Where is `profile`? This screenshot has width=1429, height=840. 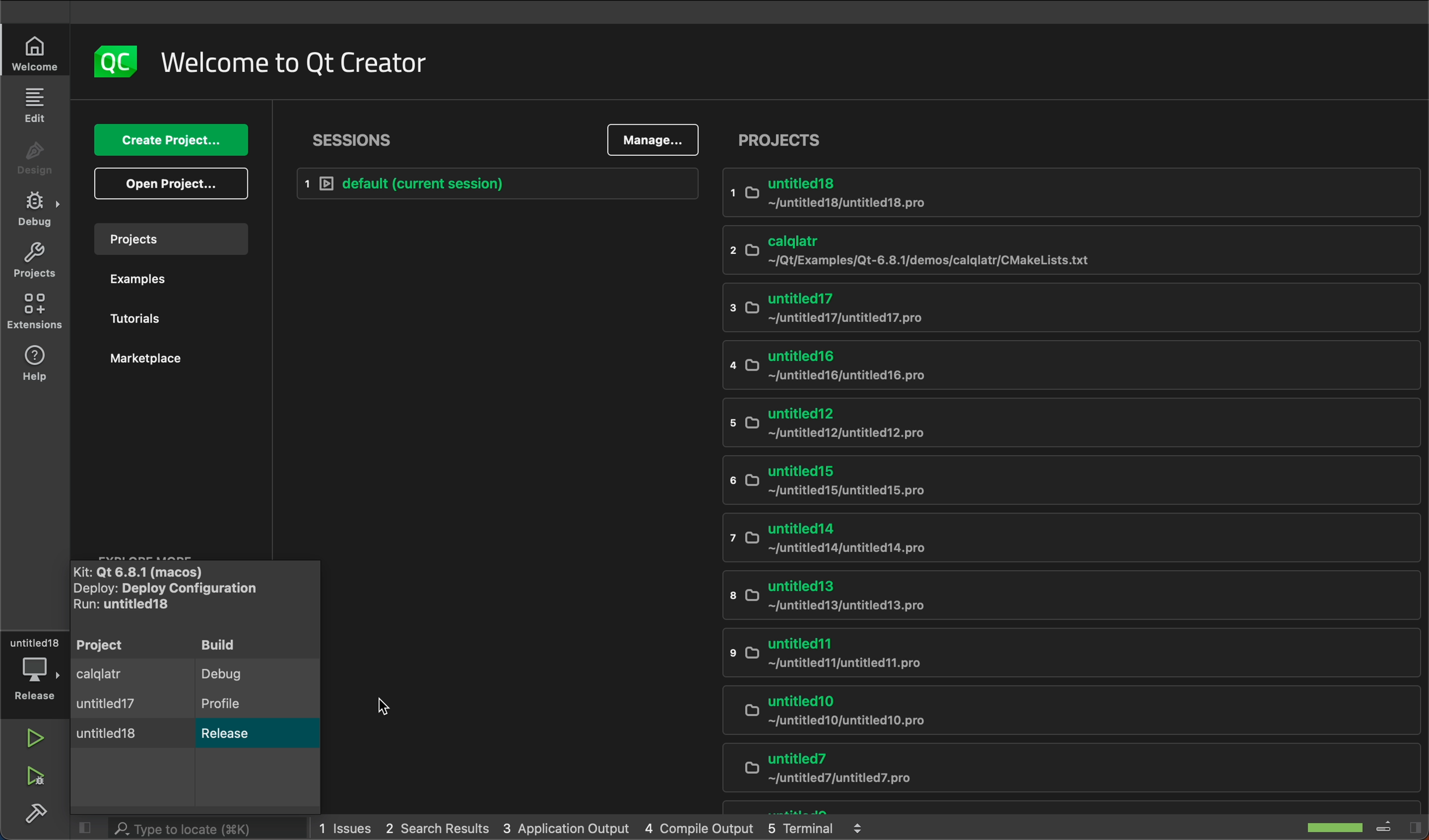 profile is located at coordinates (243, 705).